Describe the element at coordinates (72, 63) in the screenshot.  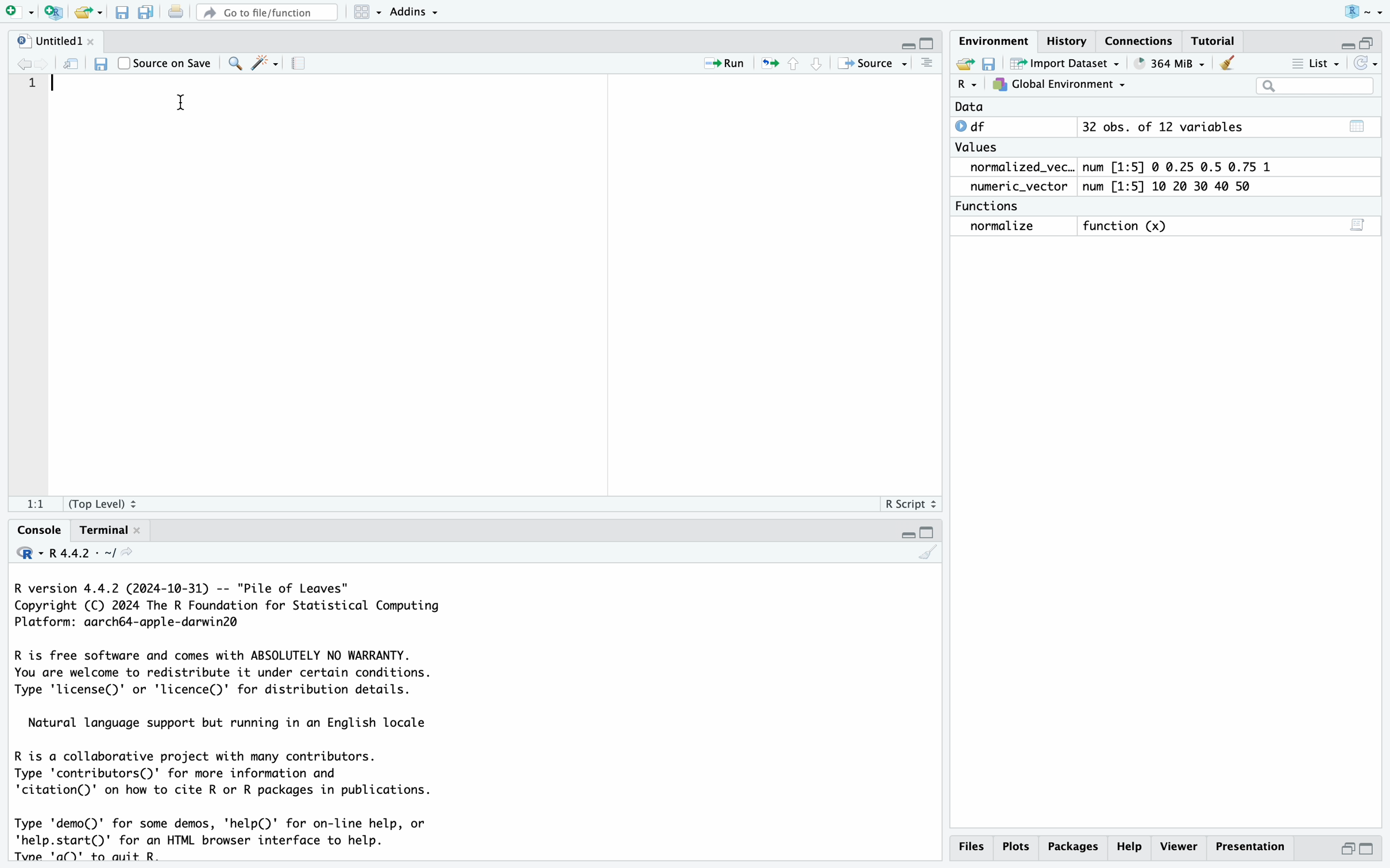
I see `Refresh` at that location.